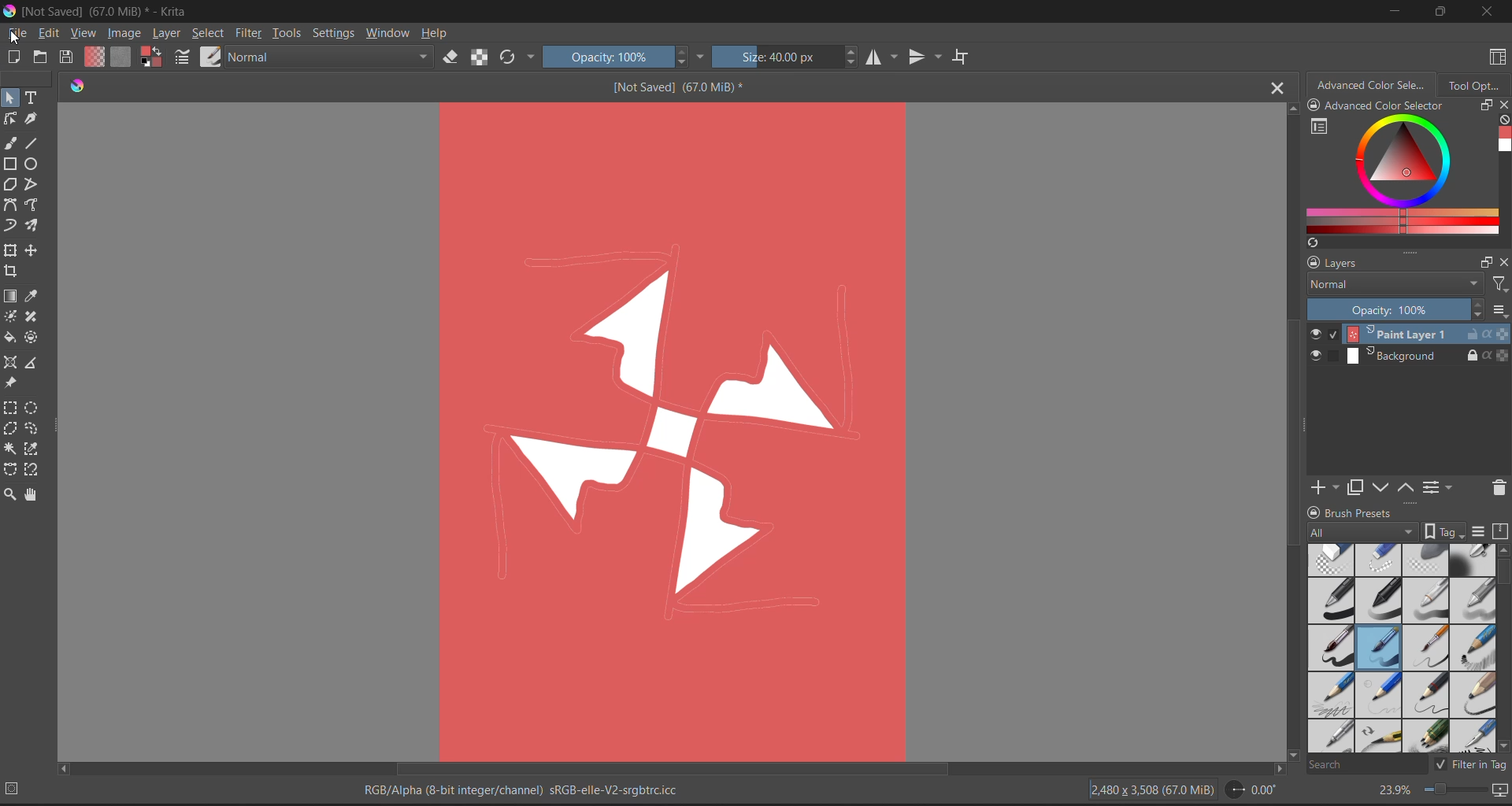  Describe the element at coordinates (1499, 792) in the screenshot. I see `map the canvas` at that location.